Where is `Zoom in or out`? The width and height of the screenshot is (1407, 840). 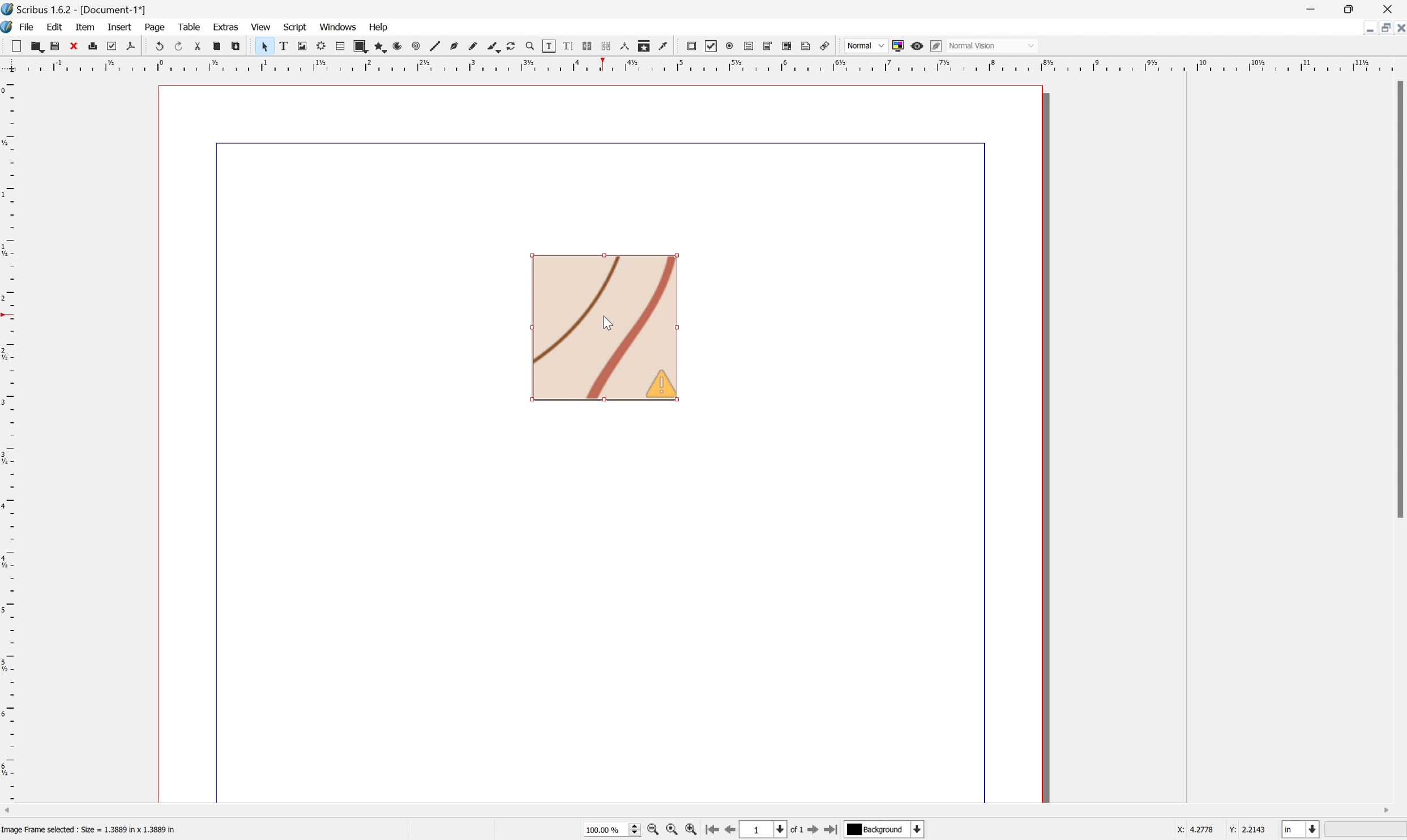
Zoom in or out is located at coordinates (533, 46).